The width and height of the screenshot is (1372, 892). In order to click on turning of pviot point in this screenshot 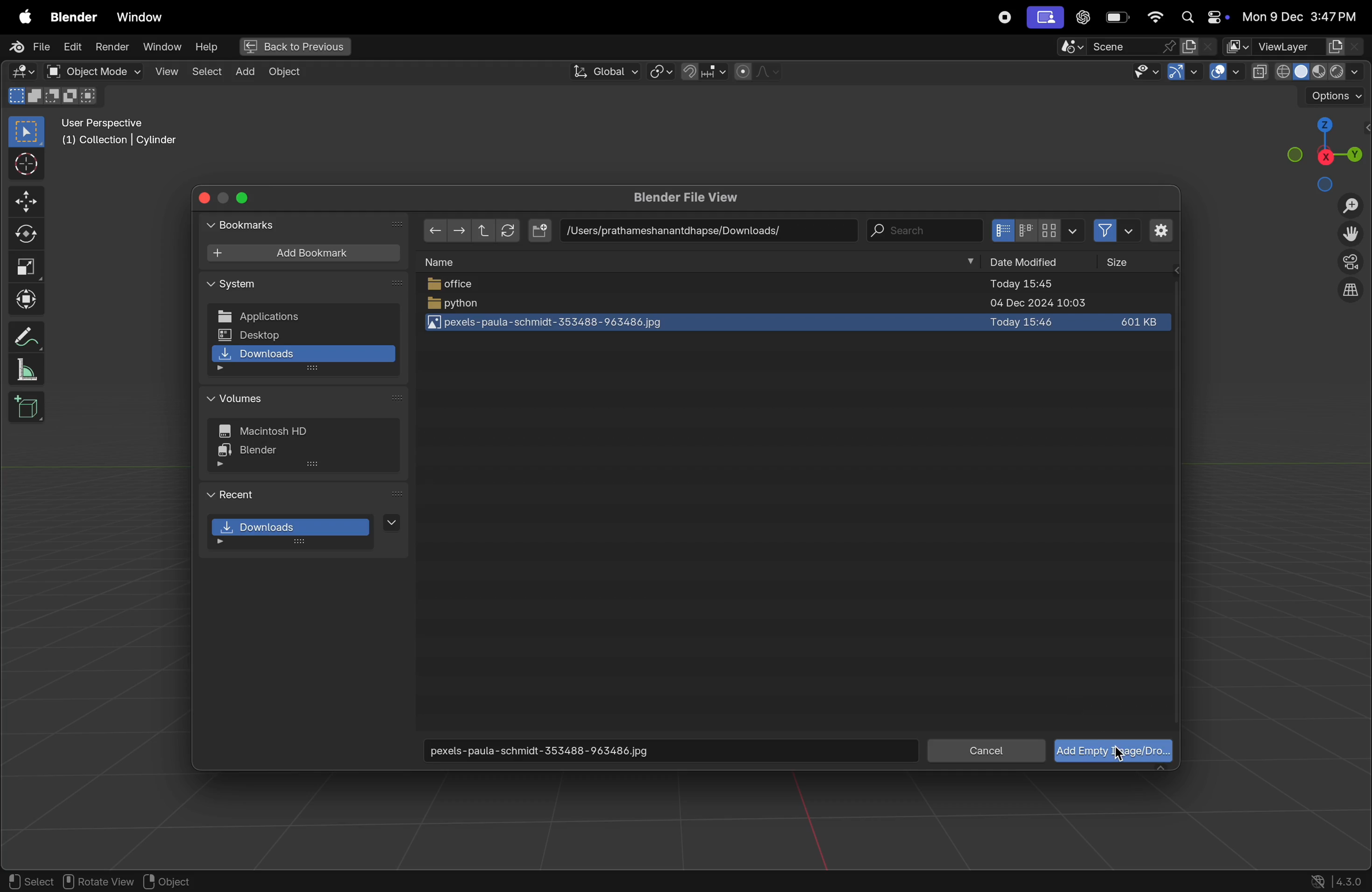, I will do `click(661, 70)`.